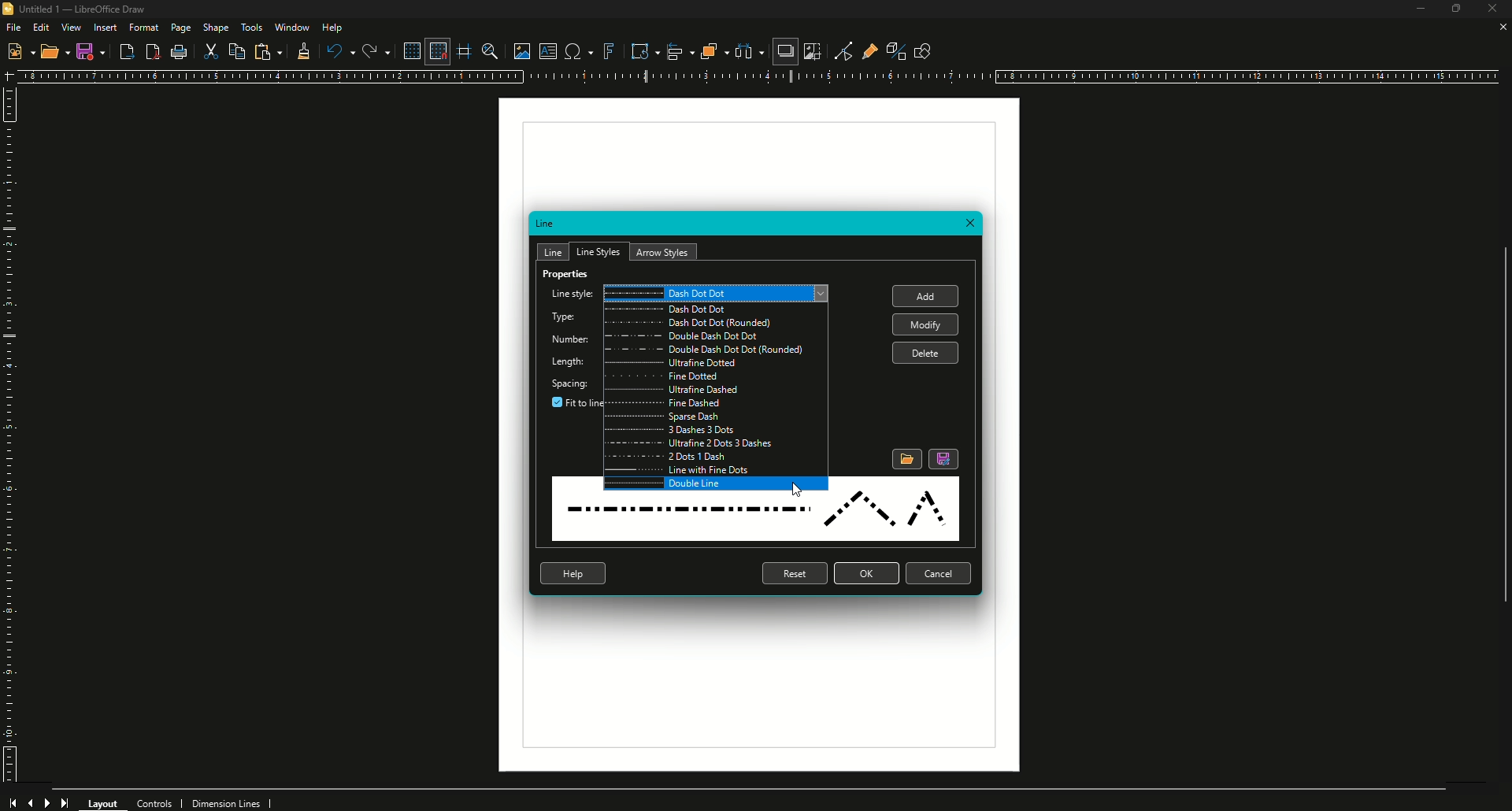 The image size is (1512, 811). I want to click on Snap to Grid, so click(436, 51).